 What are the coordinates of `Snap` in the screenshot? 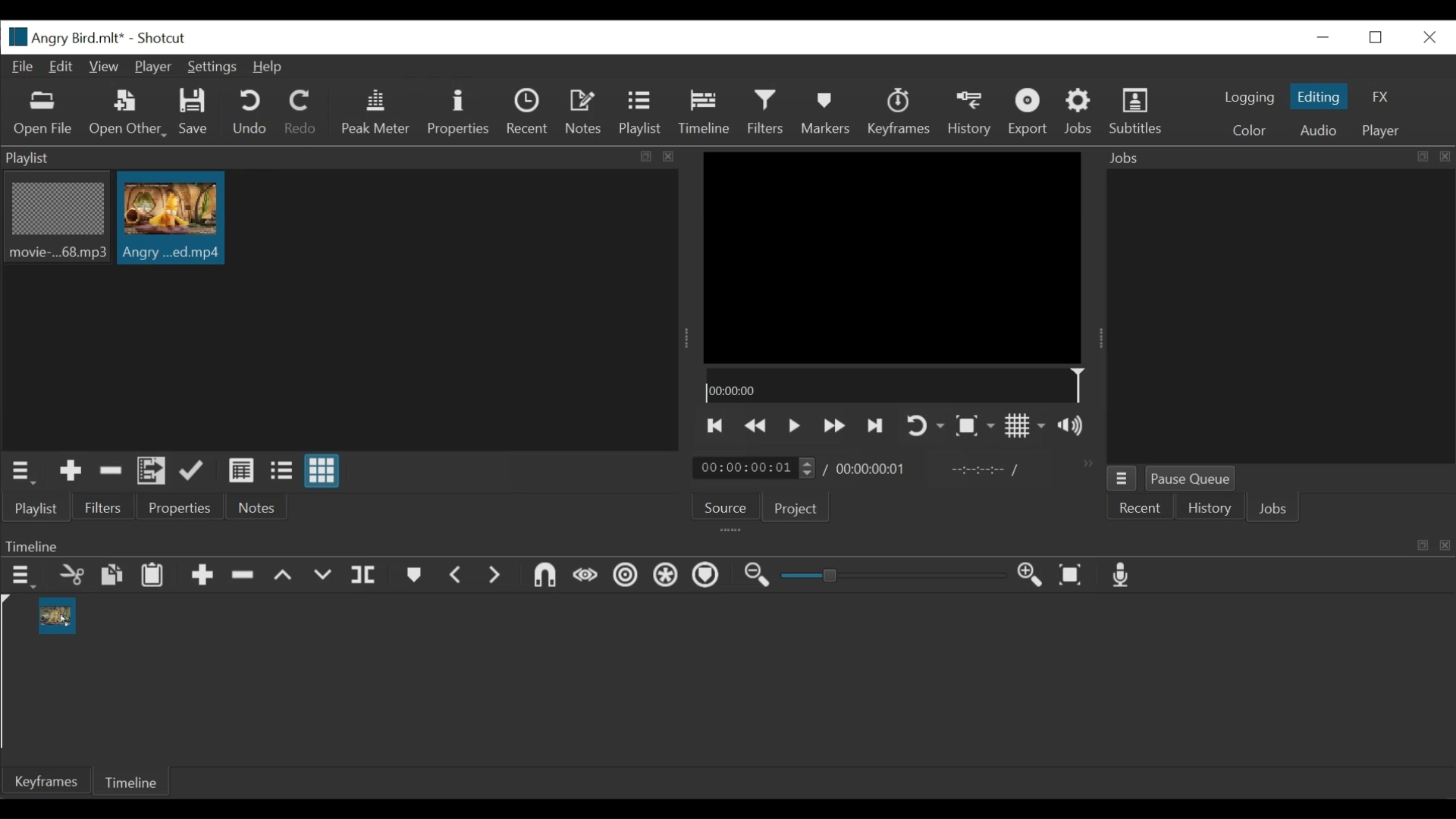 It's located at (545, 578).